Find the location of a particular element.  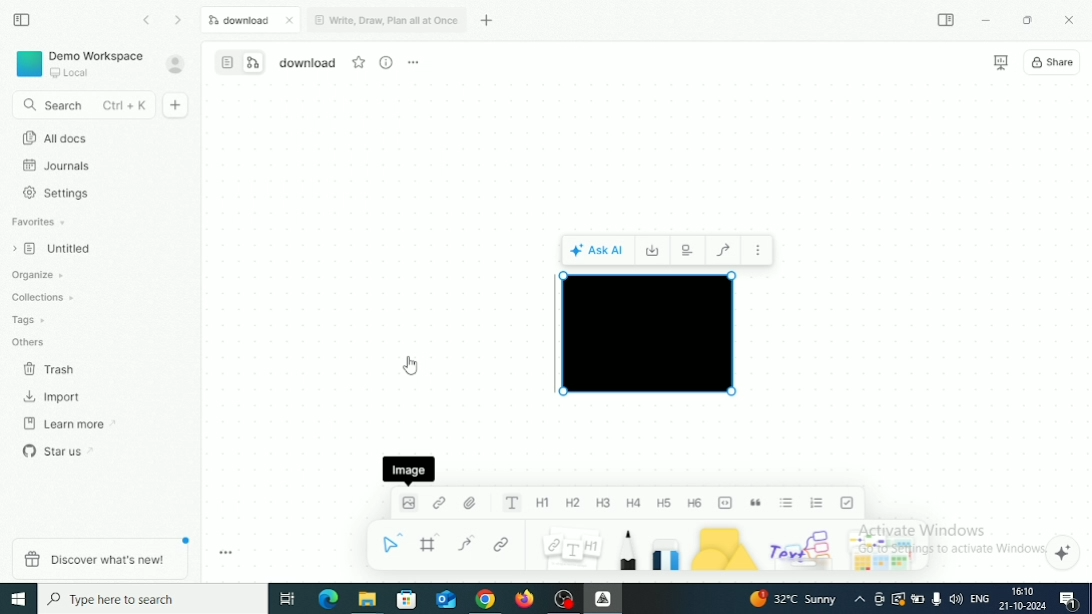

File is located at coordinates (472, 503).